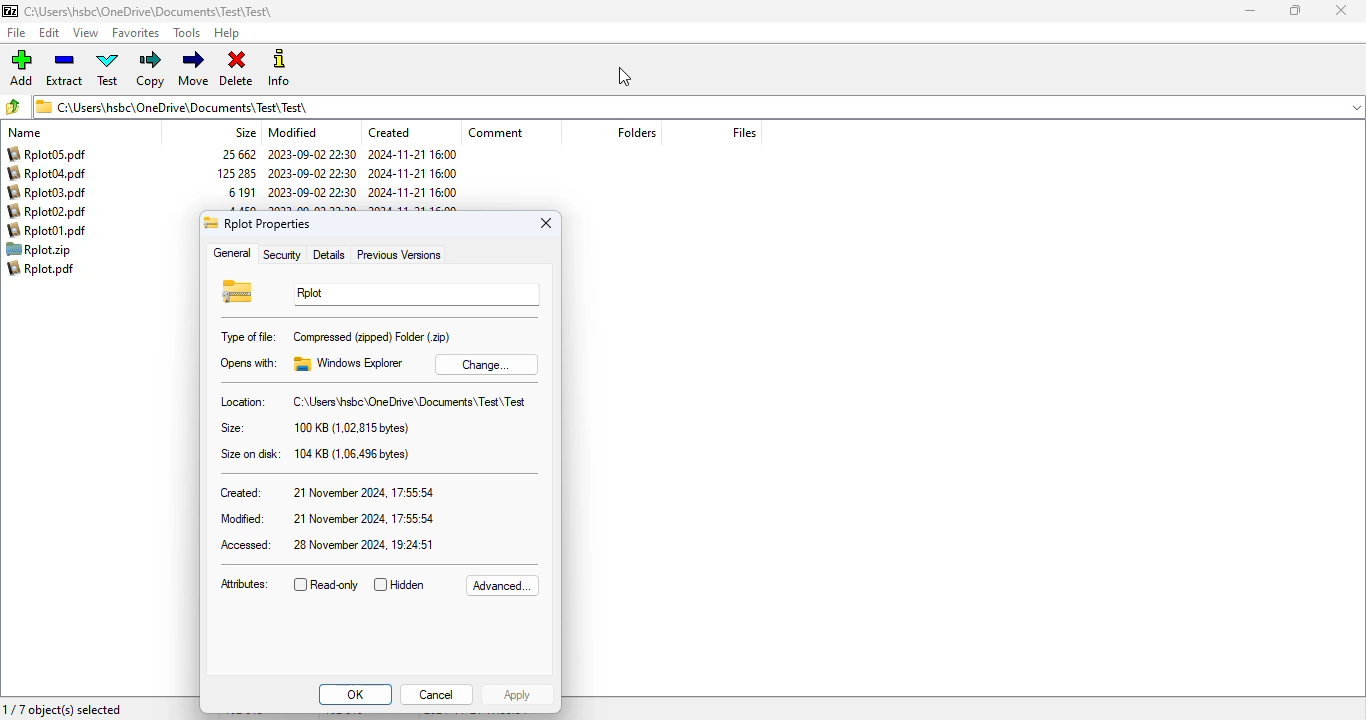 This screenshot has width=1366, height=720. I want to click on change, so click(486, 365).